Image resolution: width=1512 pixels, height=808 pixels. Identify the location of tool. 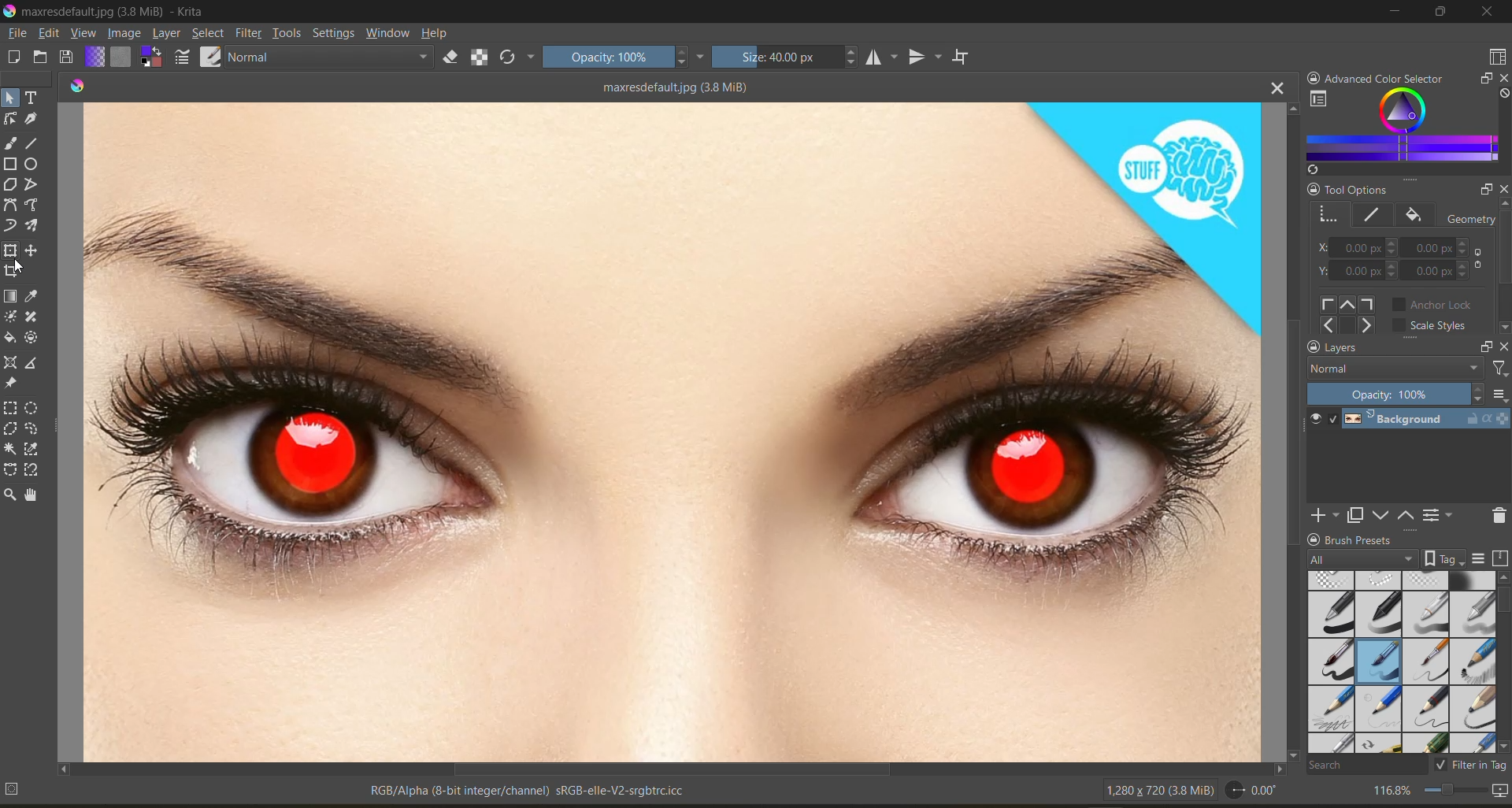
(11, 164).